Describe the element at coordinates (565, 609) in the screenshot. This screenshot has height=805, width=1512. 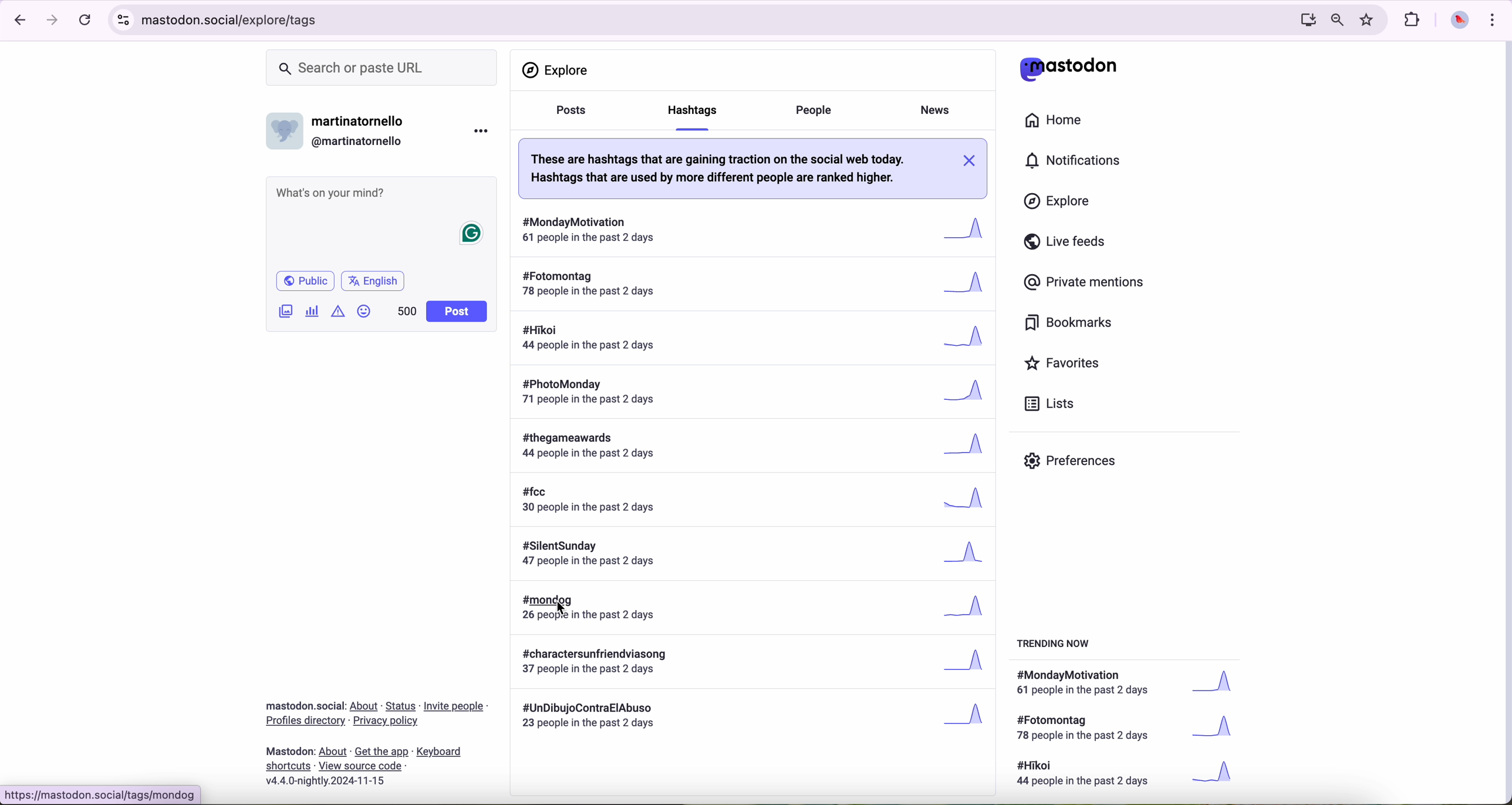
I see `cursor` at that location.